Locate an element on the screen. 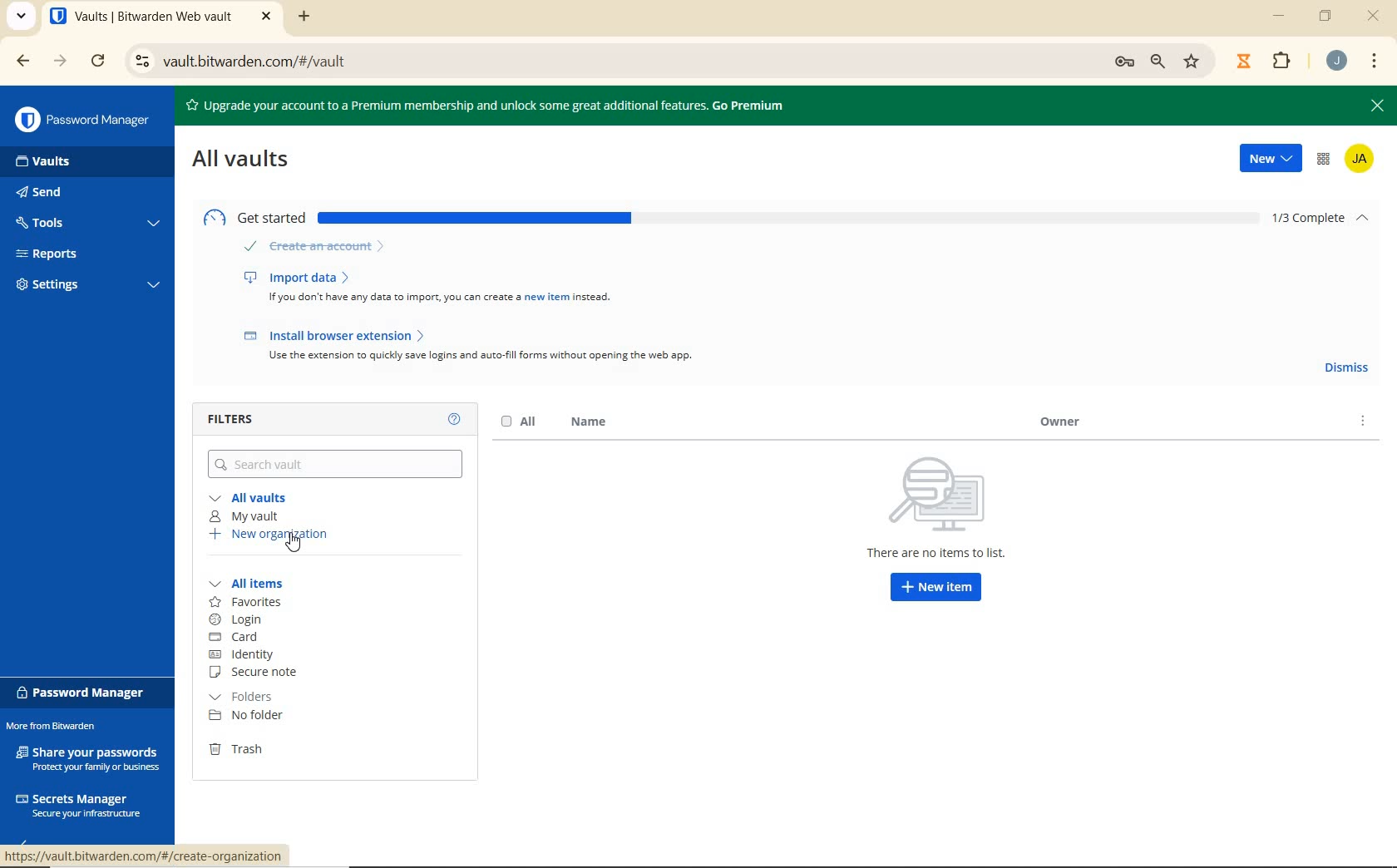 The width and height of the screenshot is (1397, 868). more info is located at coordinates (1364, 426).